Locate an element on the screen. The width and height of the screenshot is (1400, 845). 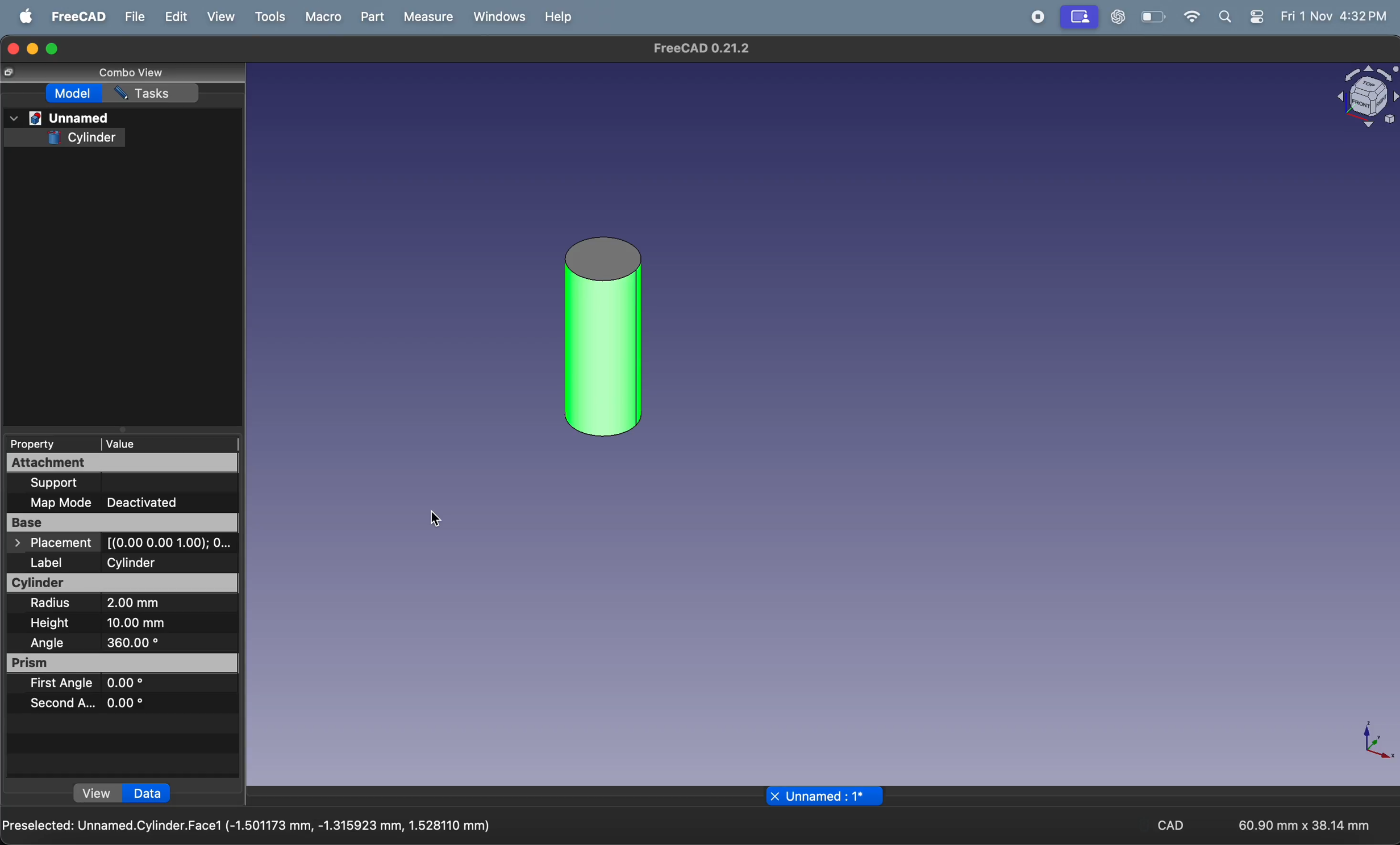
360.00° is located at coordinates (163, 642).